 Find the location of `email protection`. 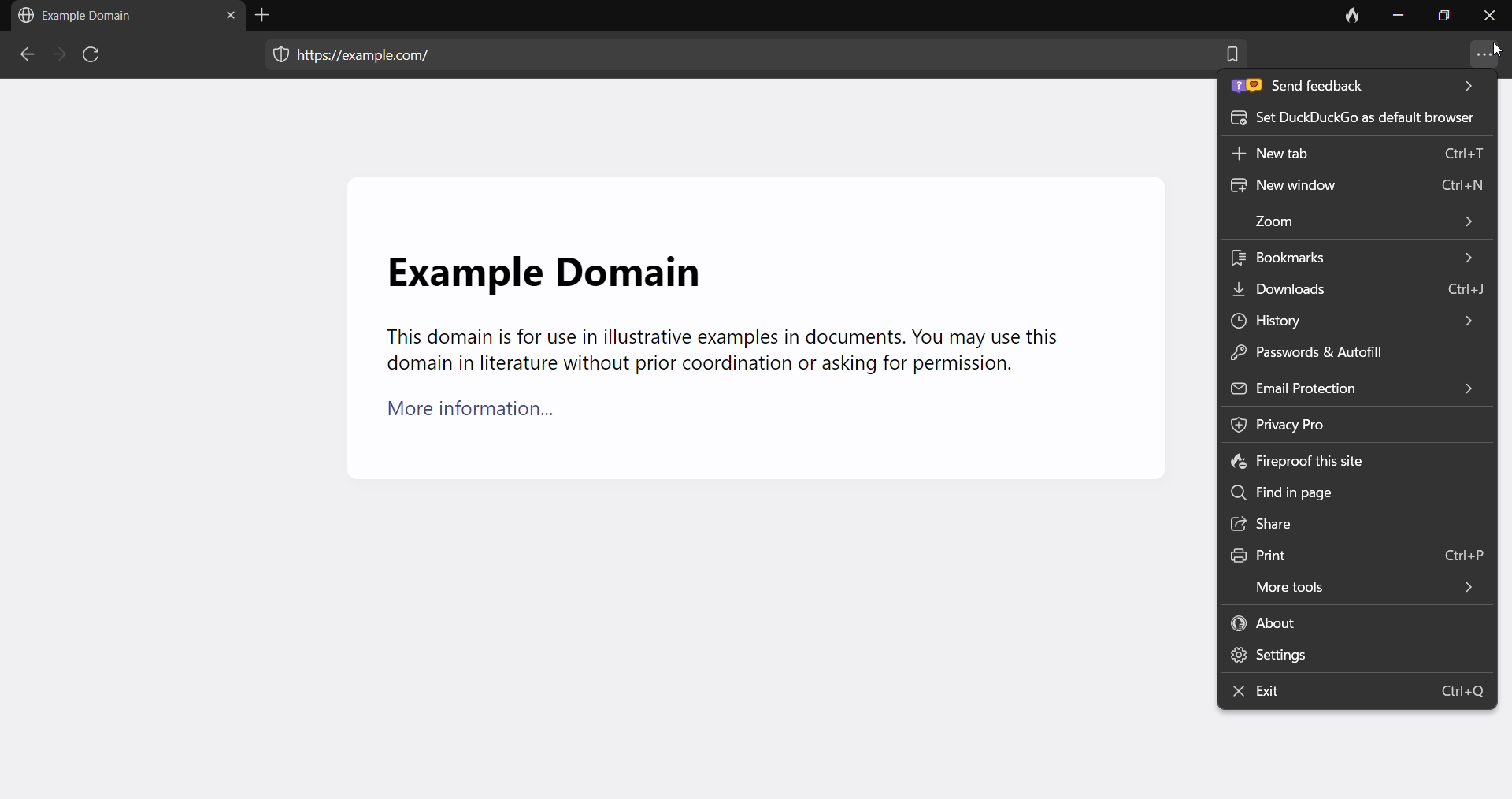

email protection is located at coordinates (1355, 386).